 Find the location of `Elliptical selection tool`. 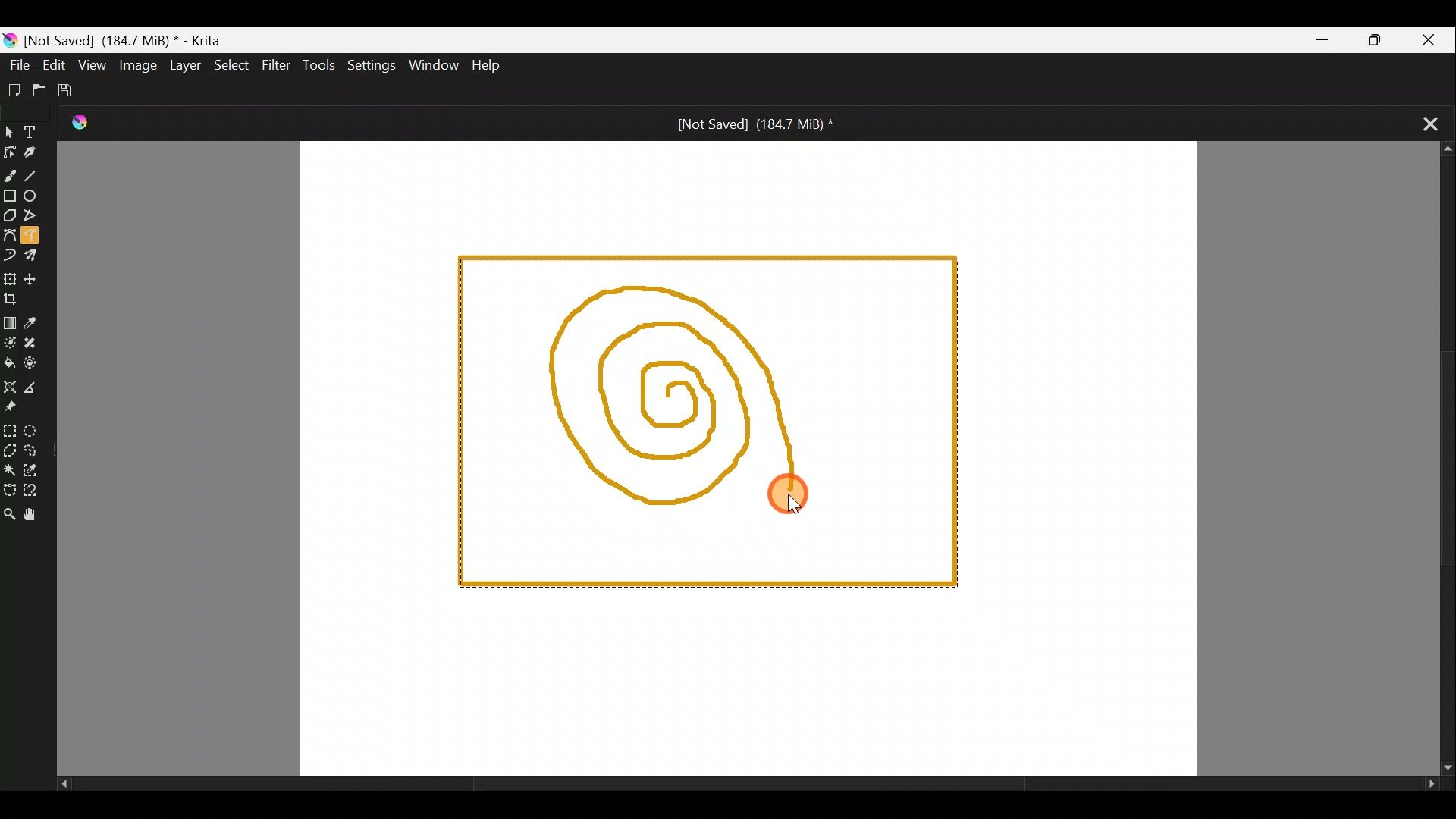

Elliptical selection tool is located at coordinates (37, 430).